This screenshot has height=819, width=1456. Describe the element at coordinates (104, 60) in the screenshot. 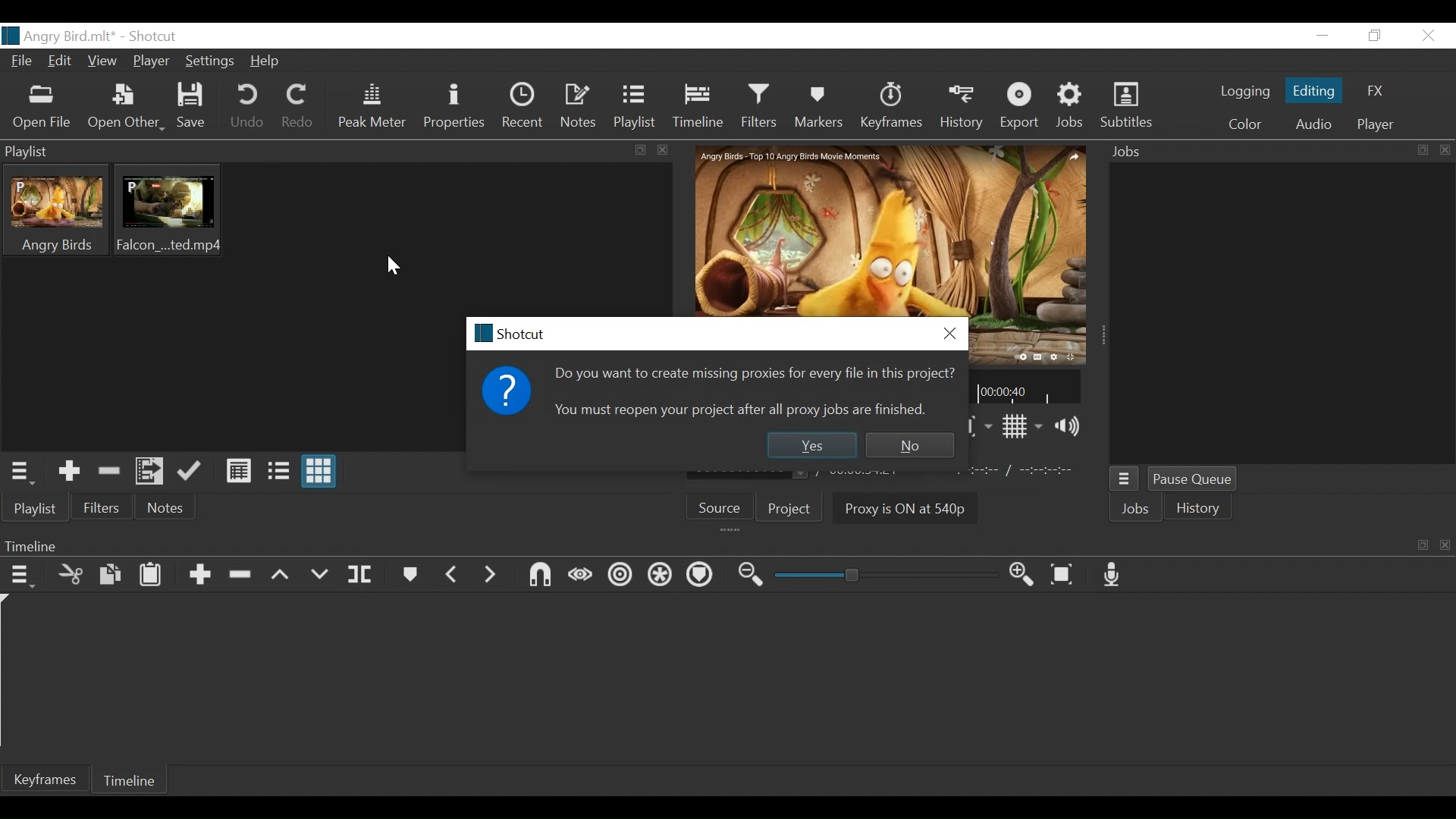

I see `View` at that location.